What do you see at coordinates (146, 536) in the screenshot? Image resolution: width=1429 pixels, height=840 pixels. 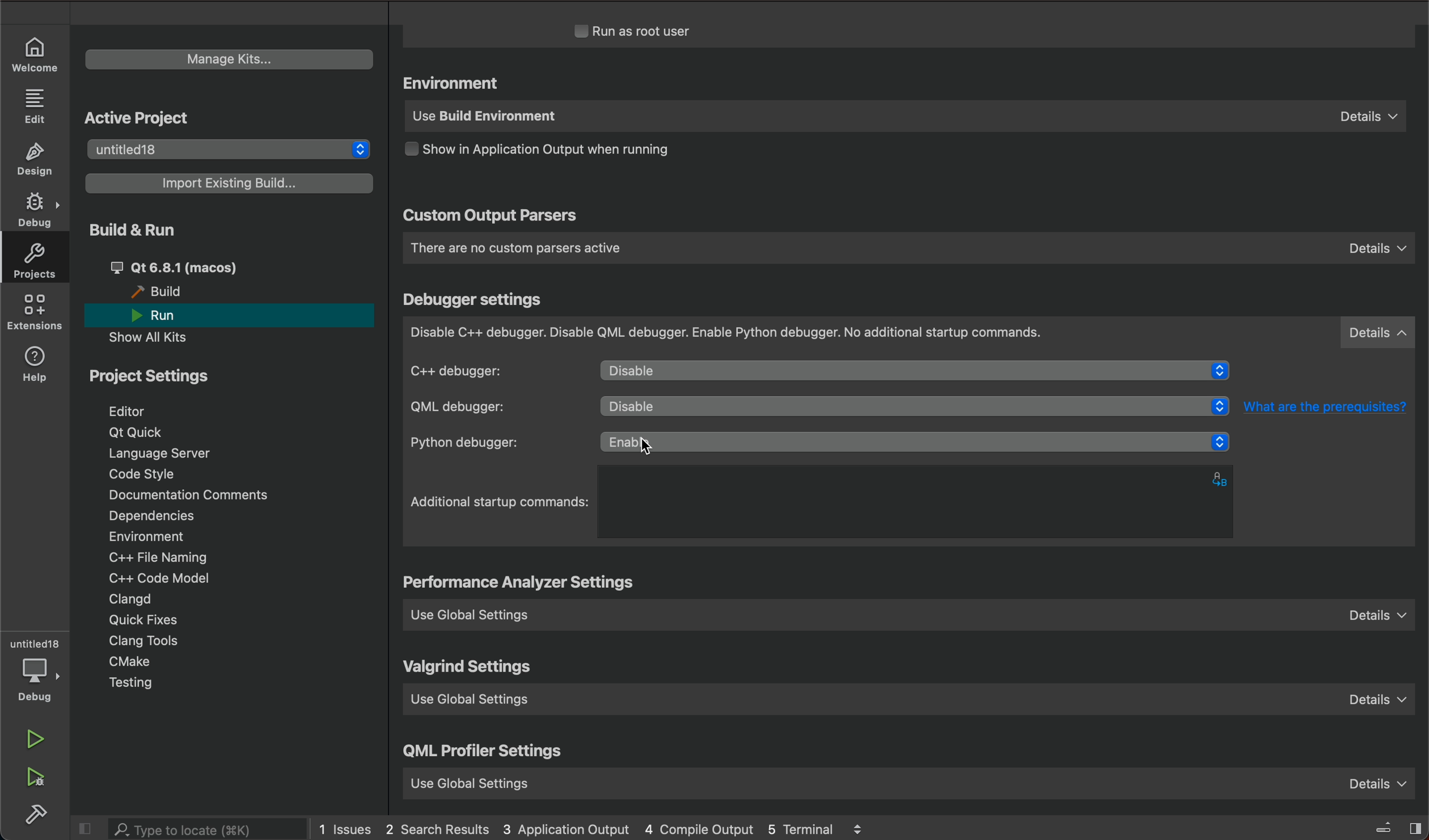 I see `environment` at bounding box center [146, 536].